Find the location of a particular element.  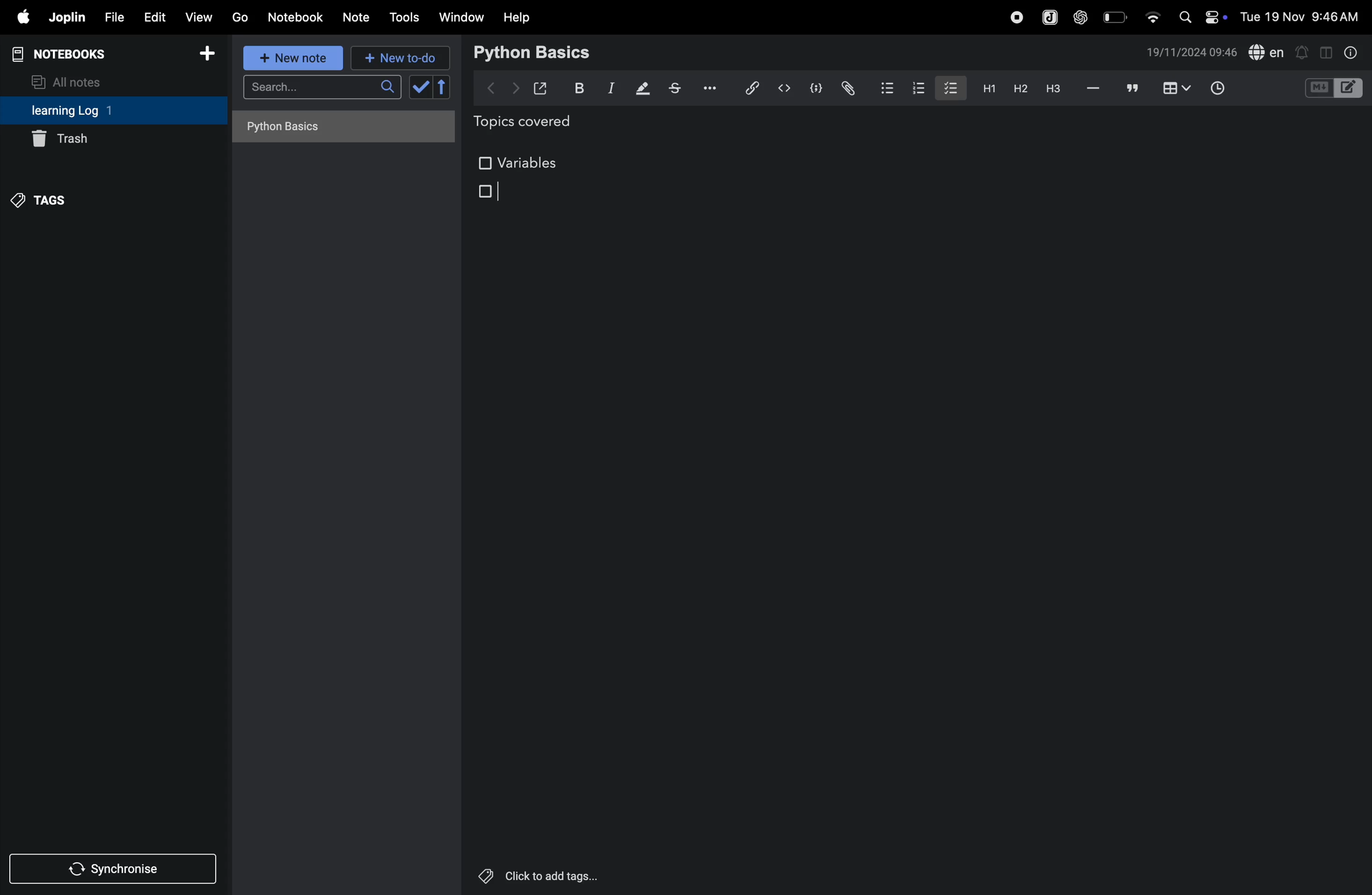

numbered list is located at coordinates (921, 88).